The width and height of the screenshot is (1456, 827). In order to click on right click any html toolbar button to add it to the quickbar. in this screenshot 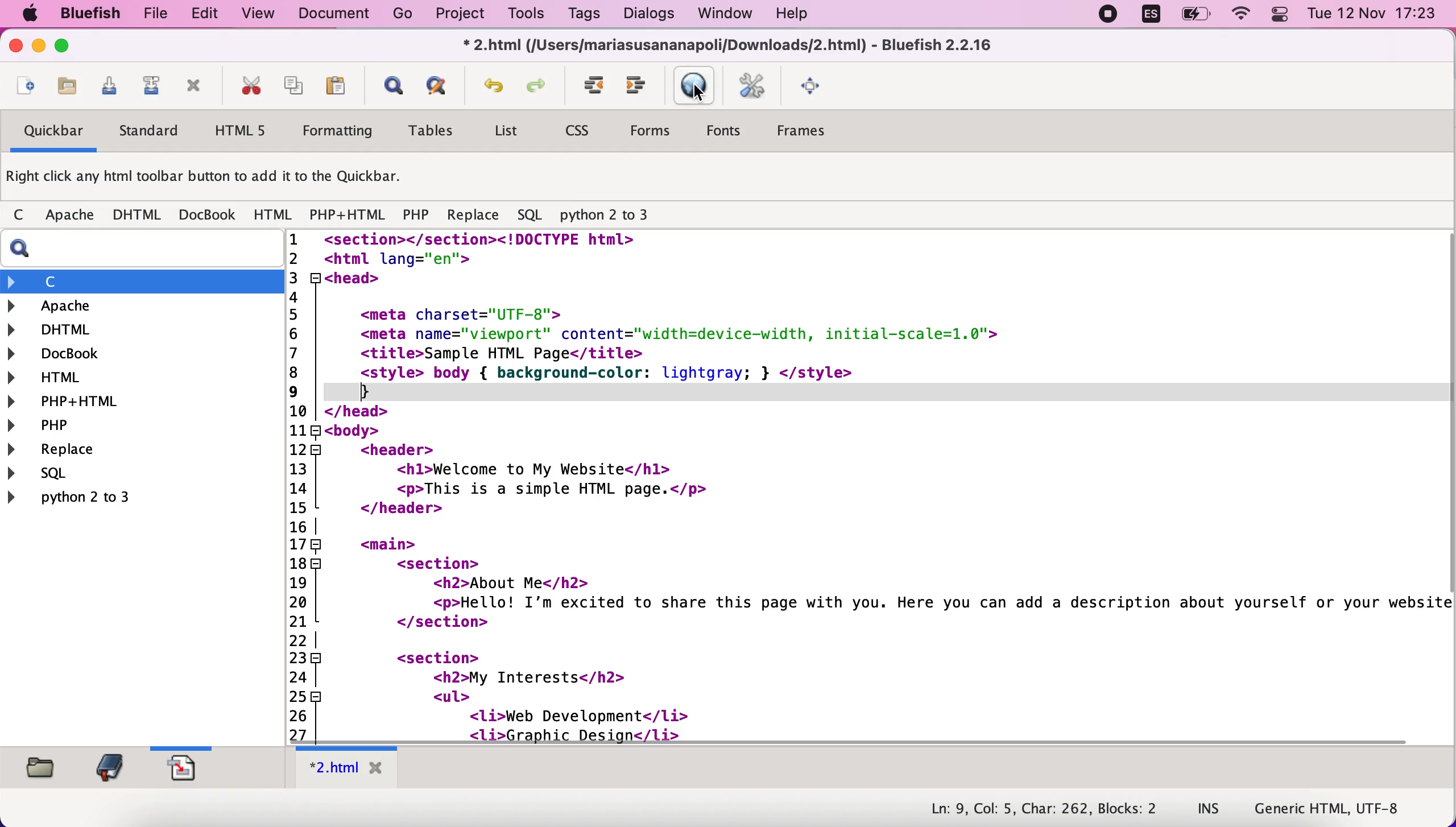, I will do `click(210, 177)`.